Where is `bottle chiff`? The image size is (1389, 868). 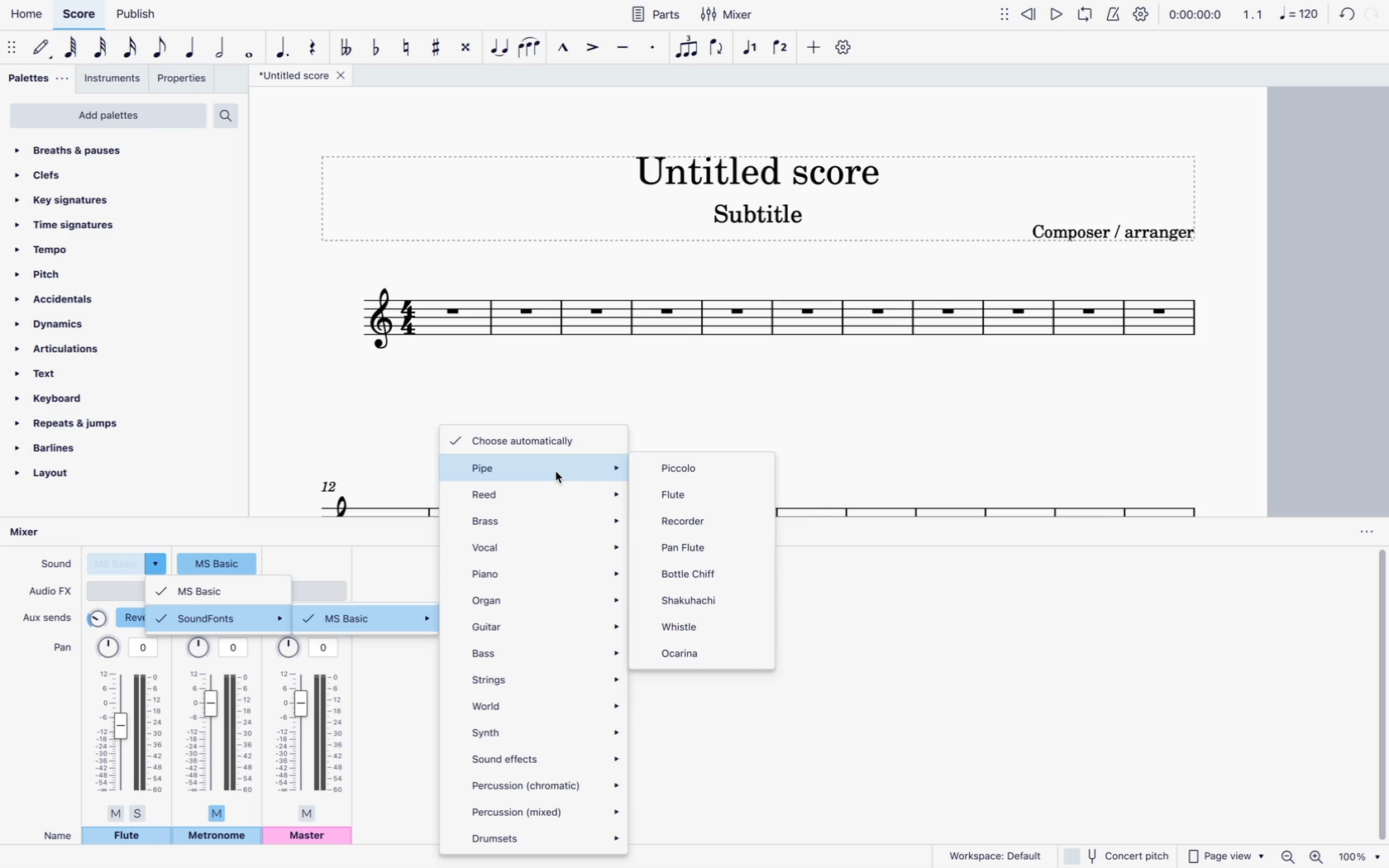
bottle chiff is located at coordinates (691, 572).